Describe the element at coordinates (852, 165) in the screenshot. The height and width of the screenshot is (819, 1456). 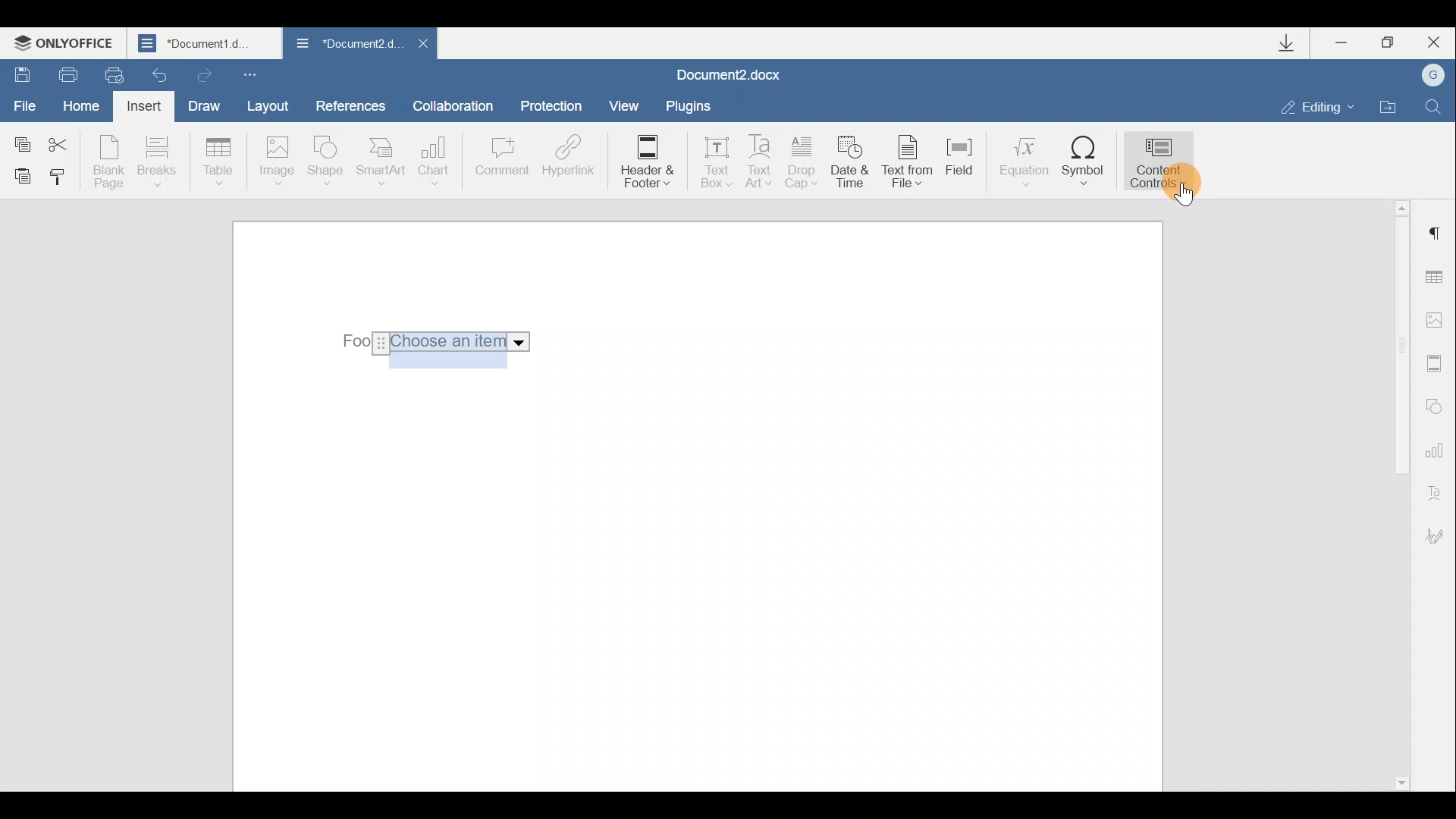
I see `Date & time` at that location.